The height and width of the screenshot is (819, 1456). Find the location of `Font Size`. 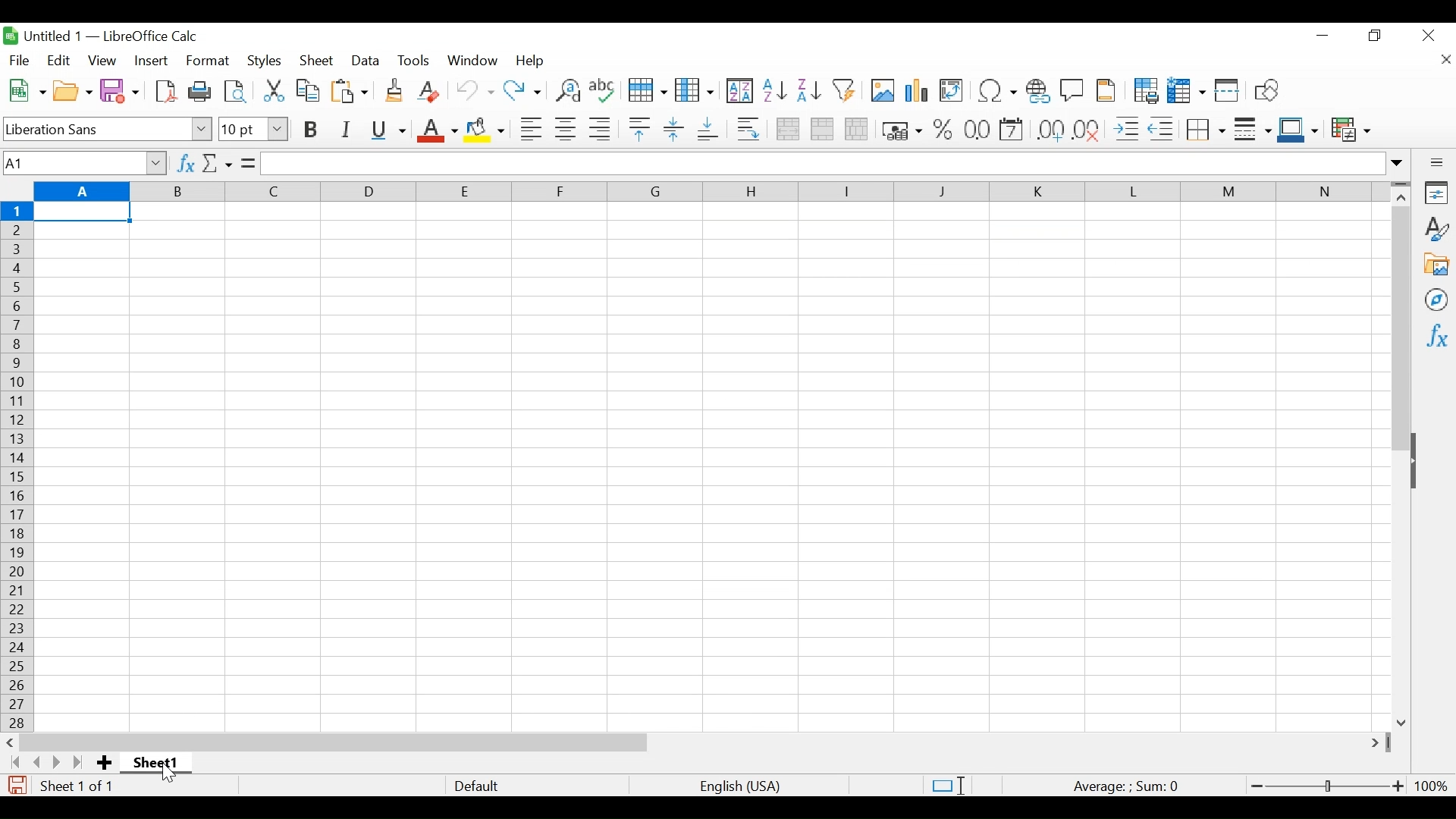

Font Size is located at coordinates (253, 130).